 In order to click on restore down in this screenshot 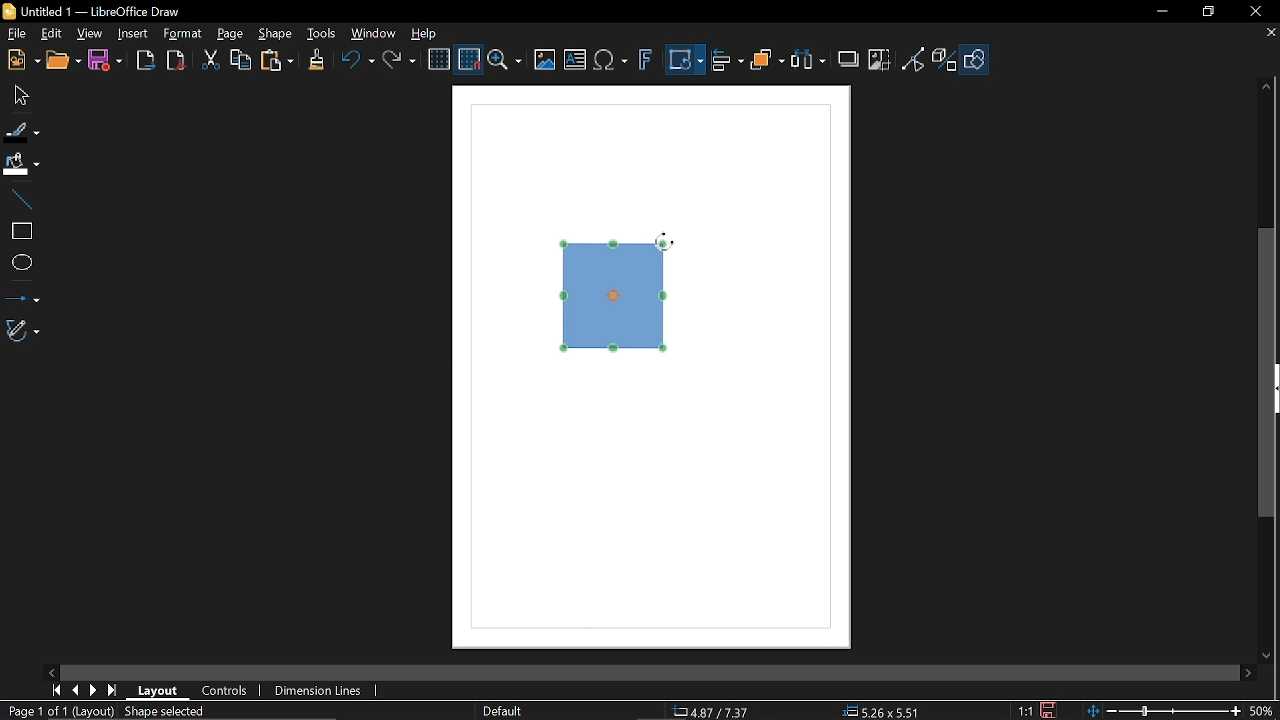, I will do `click(1209, 13)`.